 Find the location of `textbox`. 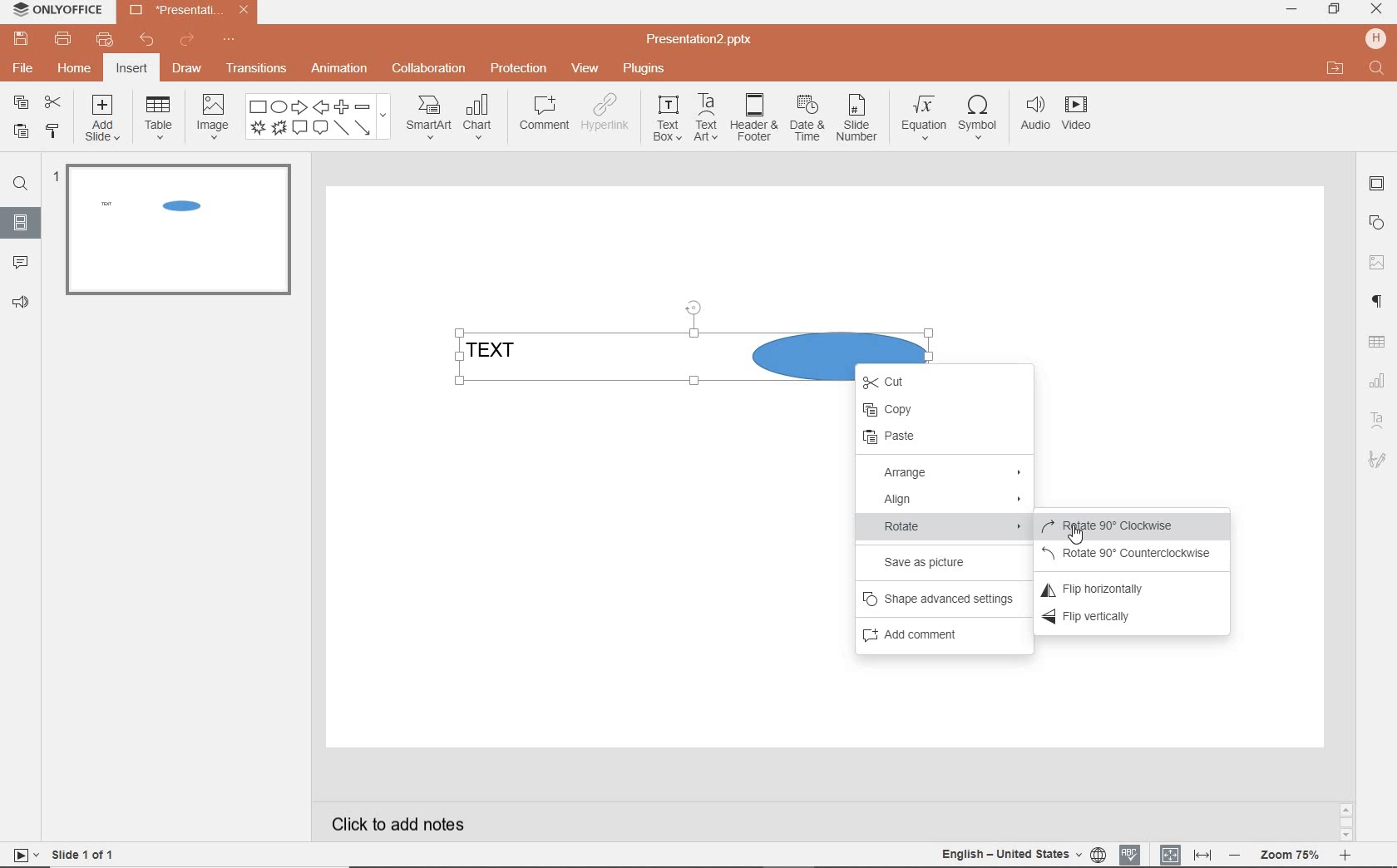

textbox is located at coordinates (665, 119).